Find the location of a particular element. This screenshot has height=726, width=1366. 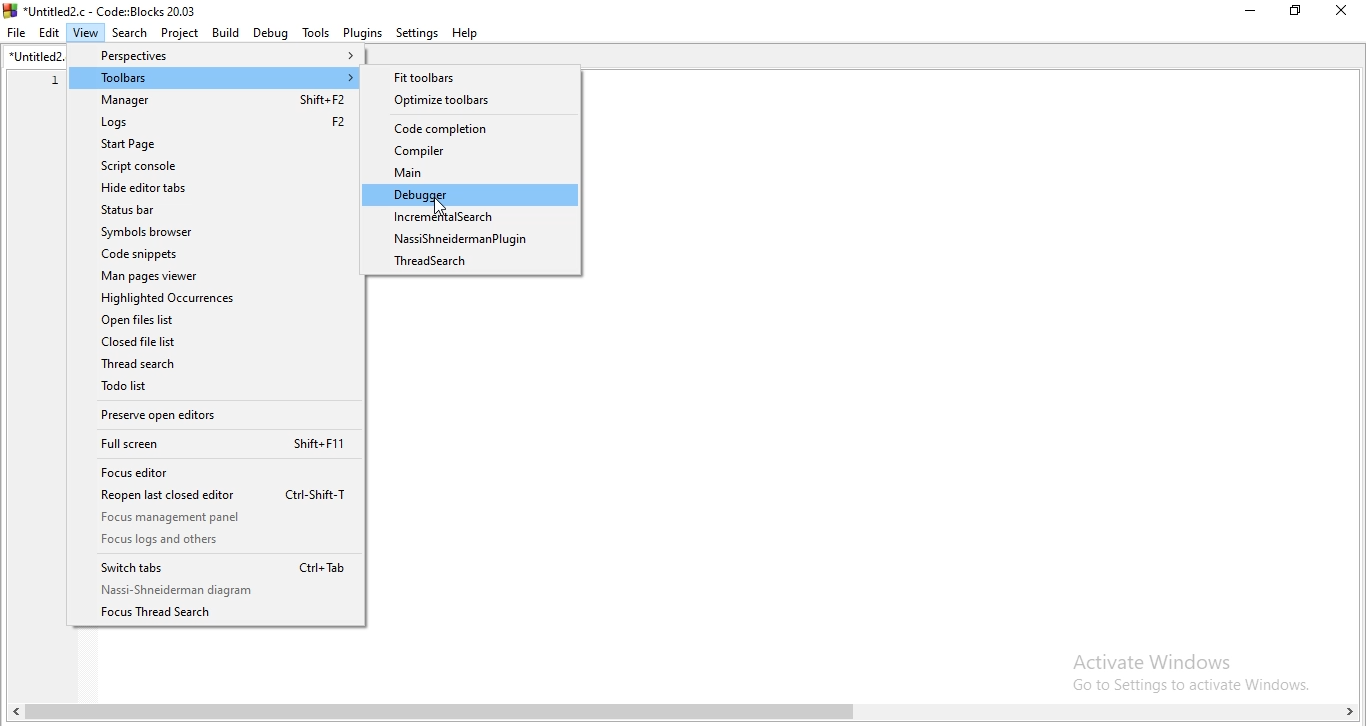

Fittoolbars is located at coordinates (469, 79).